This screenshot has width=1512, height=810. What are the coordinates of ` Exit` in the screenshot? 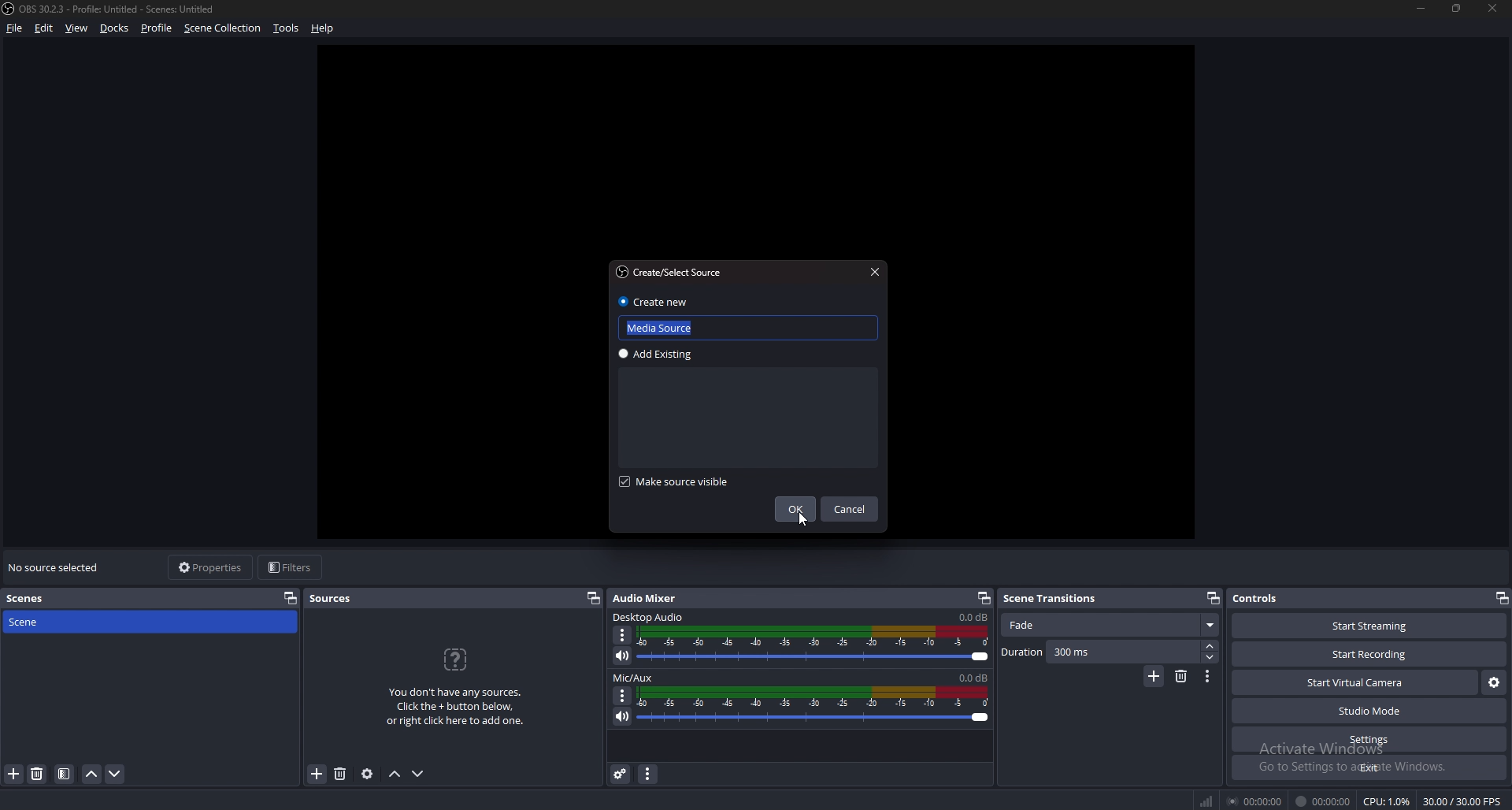 It's located at (1370, 767).